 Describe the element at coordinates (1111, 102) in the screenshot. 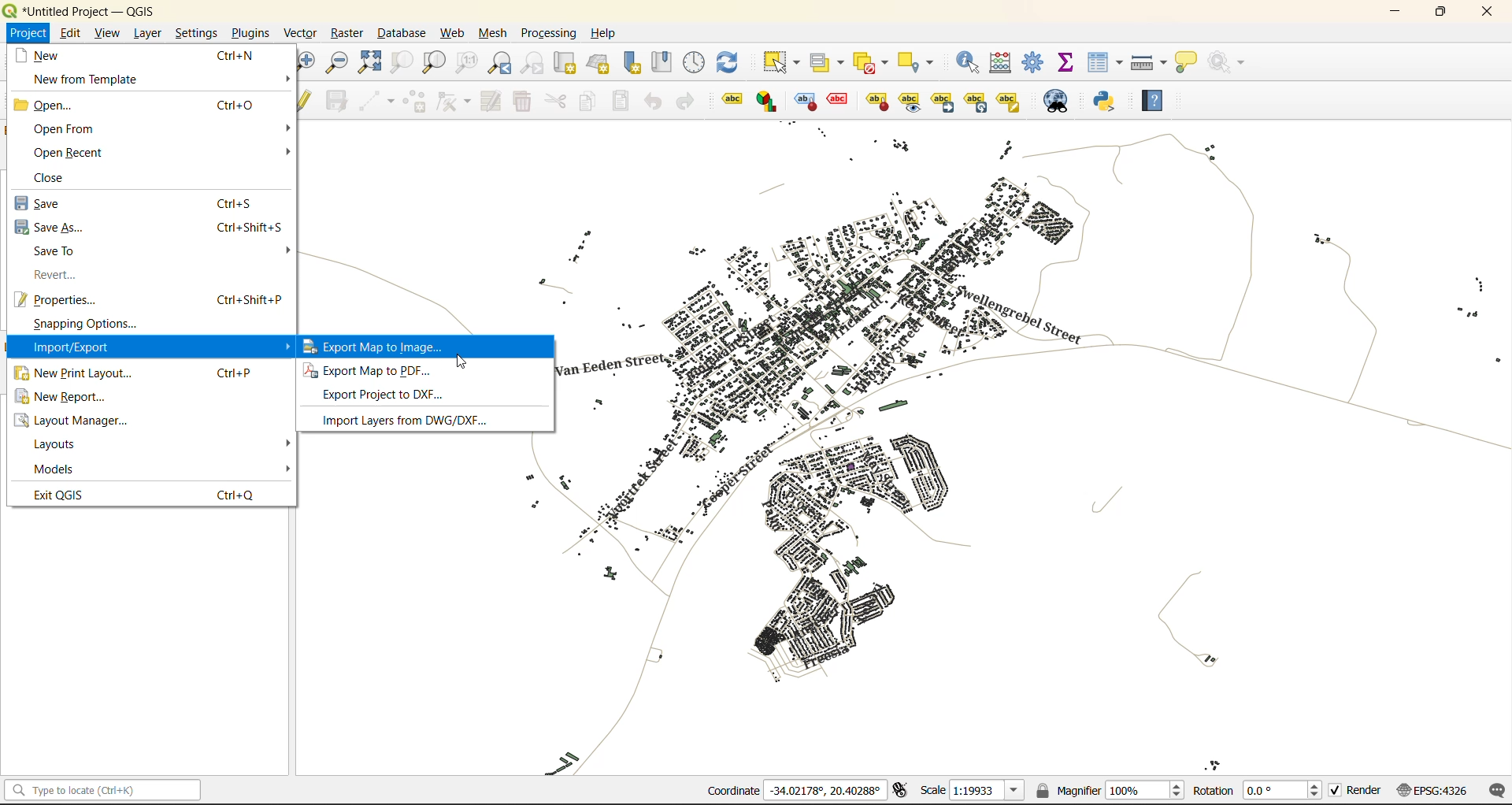

I see `python` at that location.